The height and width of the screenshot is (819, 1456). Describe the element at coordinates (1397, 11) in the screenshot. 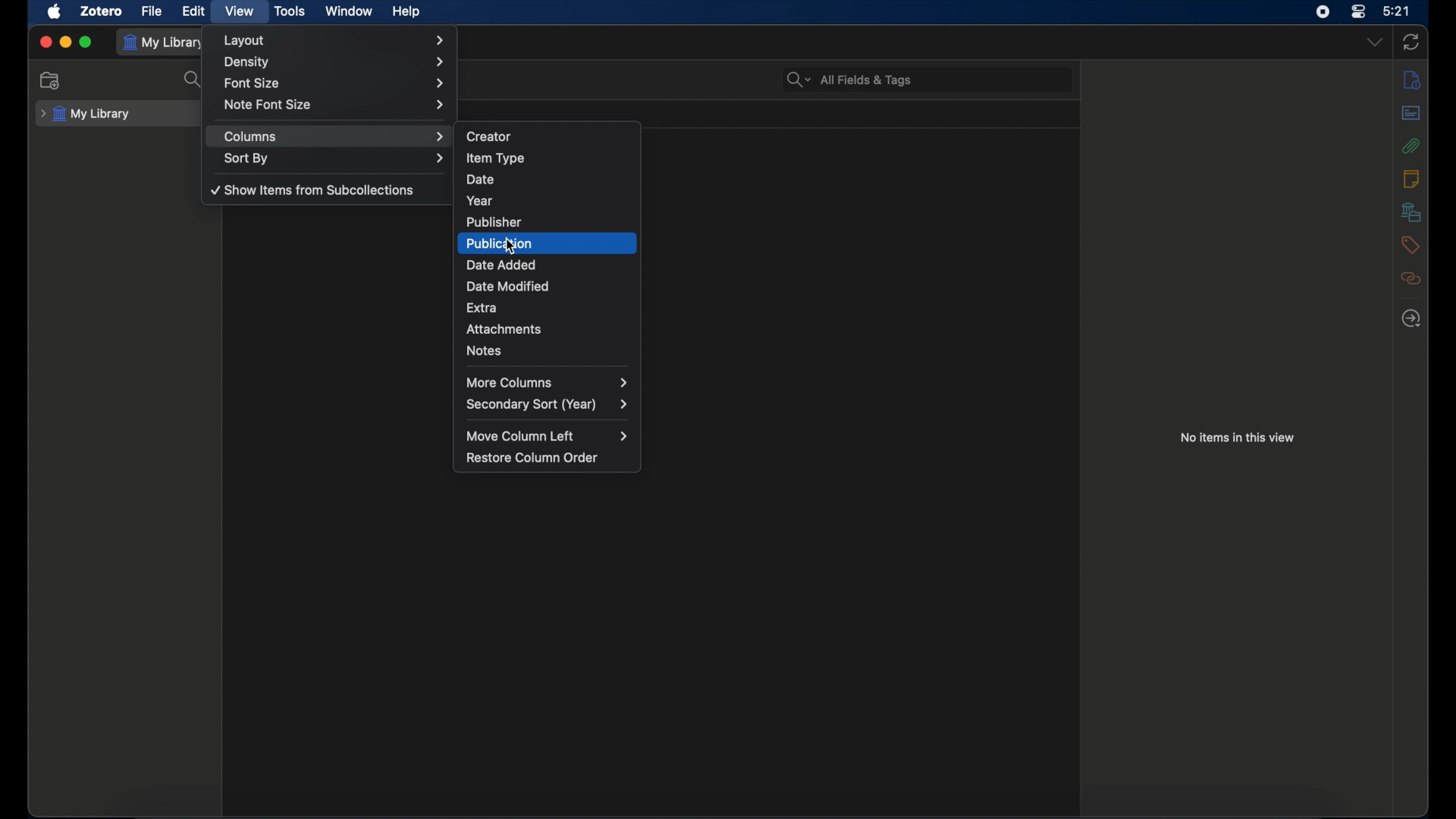

I see `time` at that location.